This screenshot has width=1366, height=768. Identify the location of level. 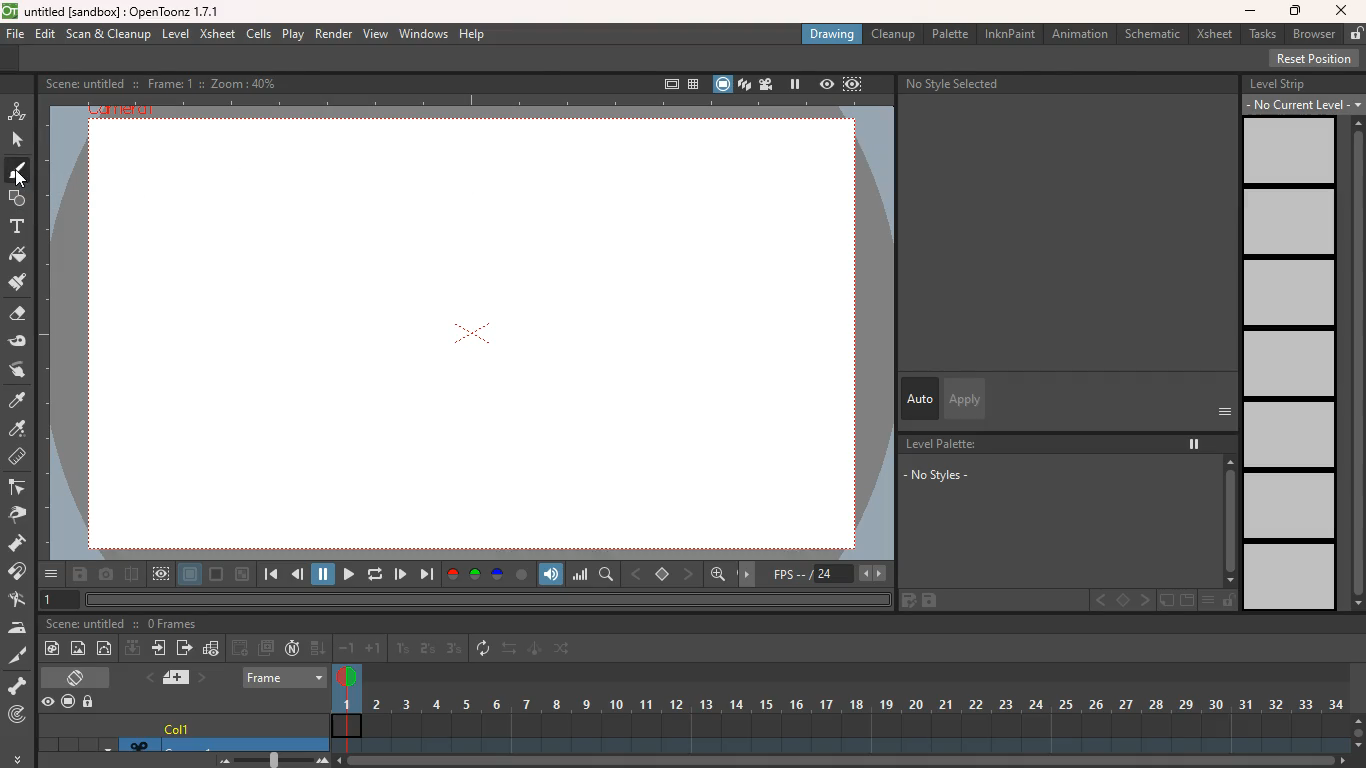
(1288, 366).